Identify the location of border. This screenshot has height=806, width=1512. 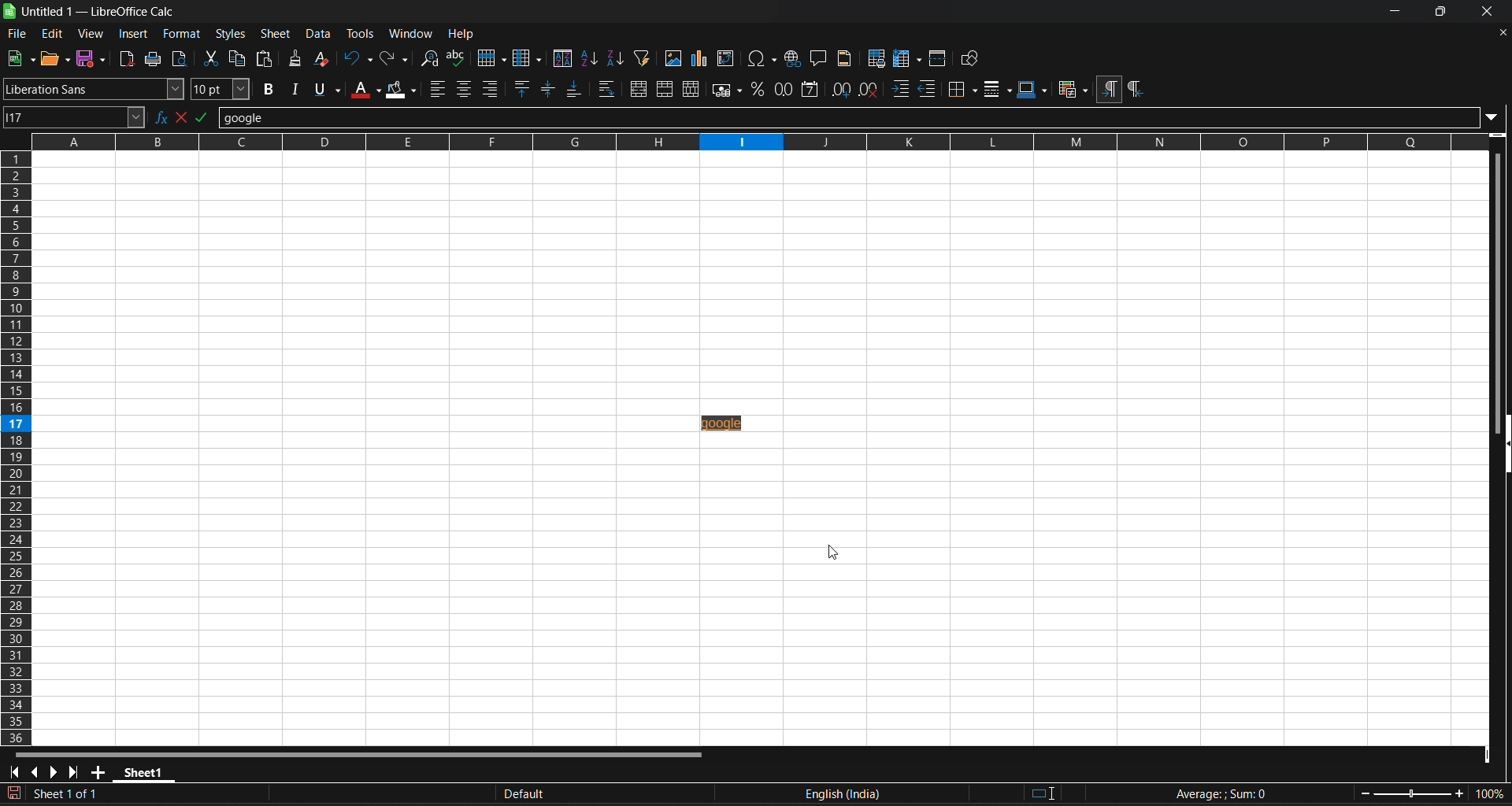
(963, 89).